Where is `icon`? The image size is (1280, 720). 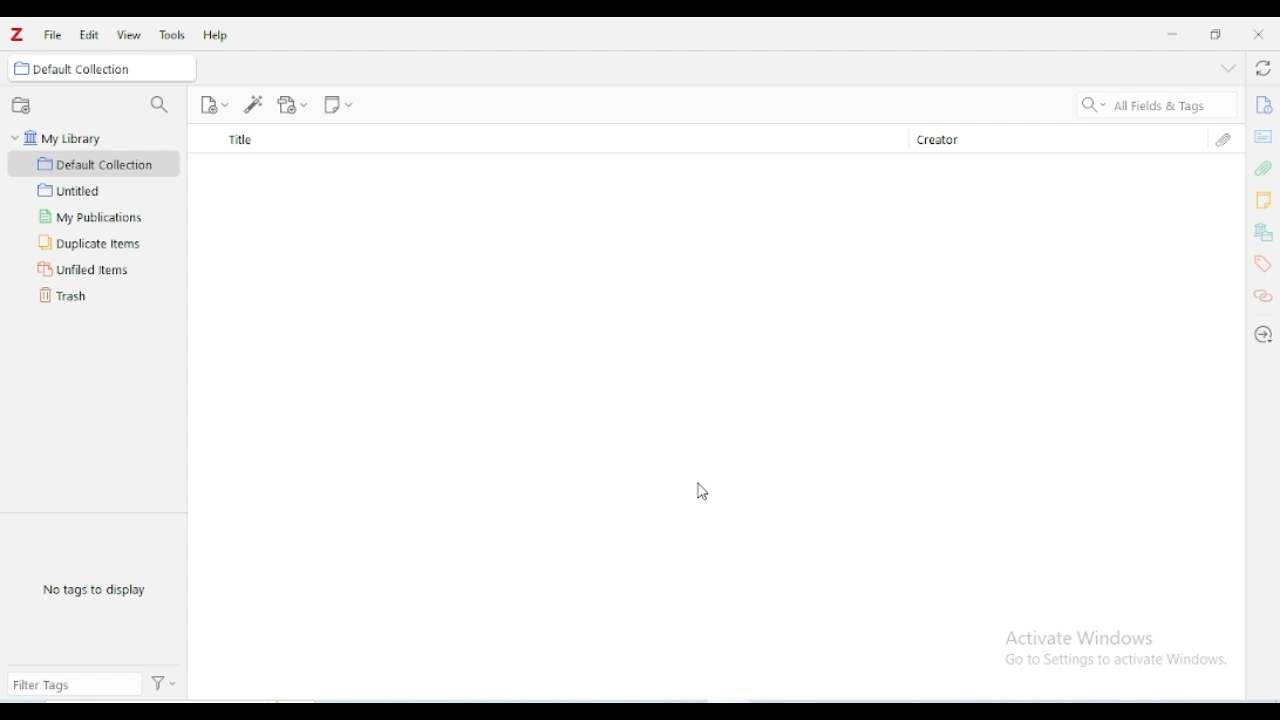 icon is located at coordinates (21, 68).